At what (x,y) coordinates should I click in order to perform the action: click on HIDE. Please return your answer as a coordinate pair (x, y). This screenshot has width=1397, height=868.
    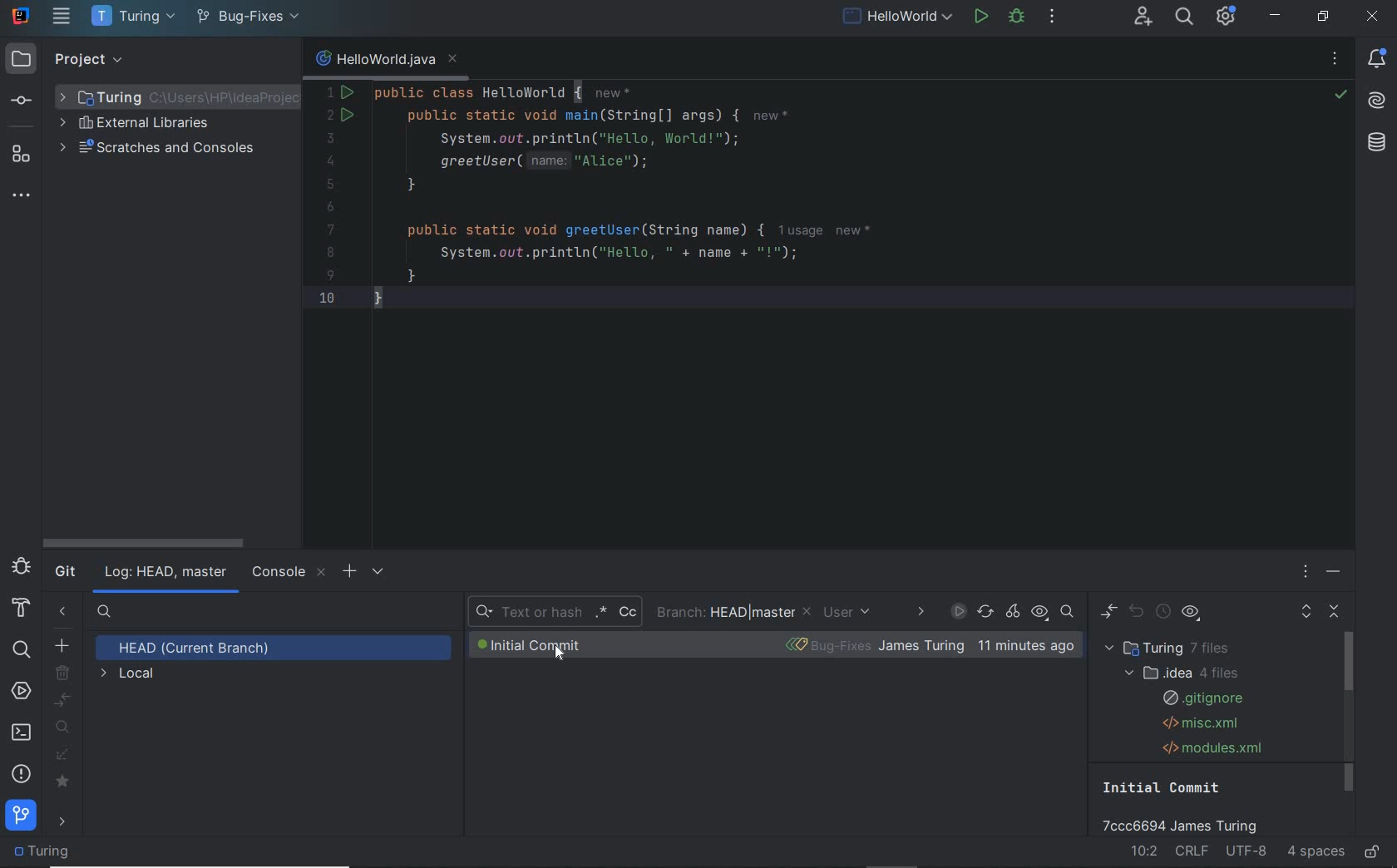
    Looking at the image, I should click on (1334, 575).